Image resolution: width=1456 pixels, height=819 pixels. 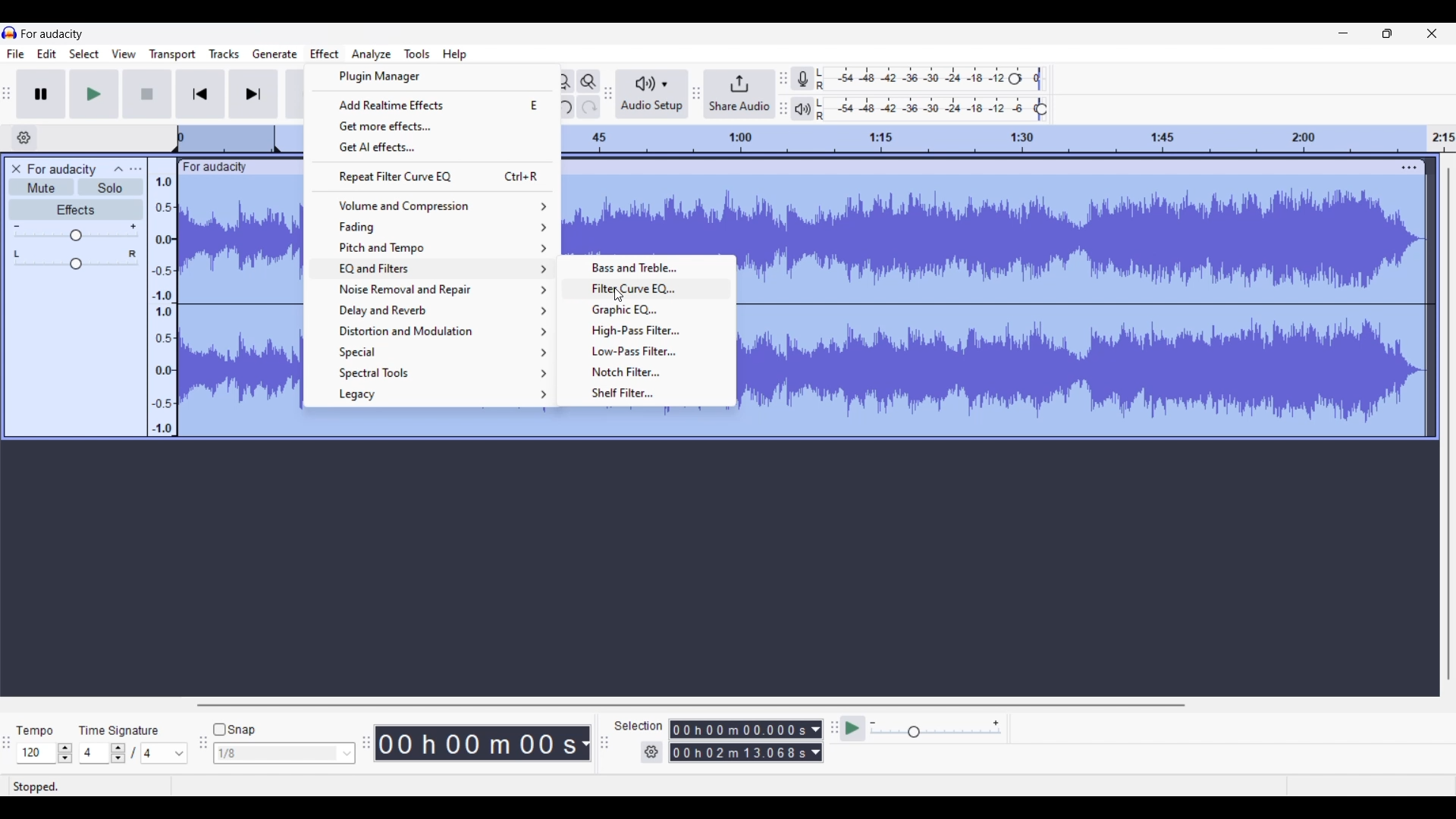 I want to click on Delete track, so click(x=18, y=169).